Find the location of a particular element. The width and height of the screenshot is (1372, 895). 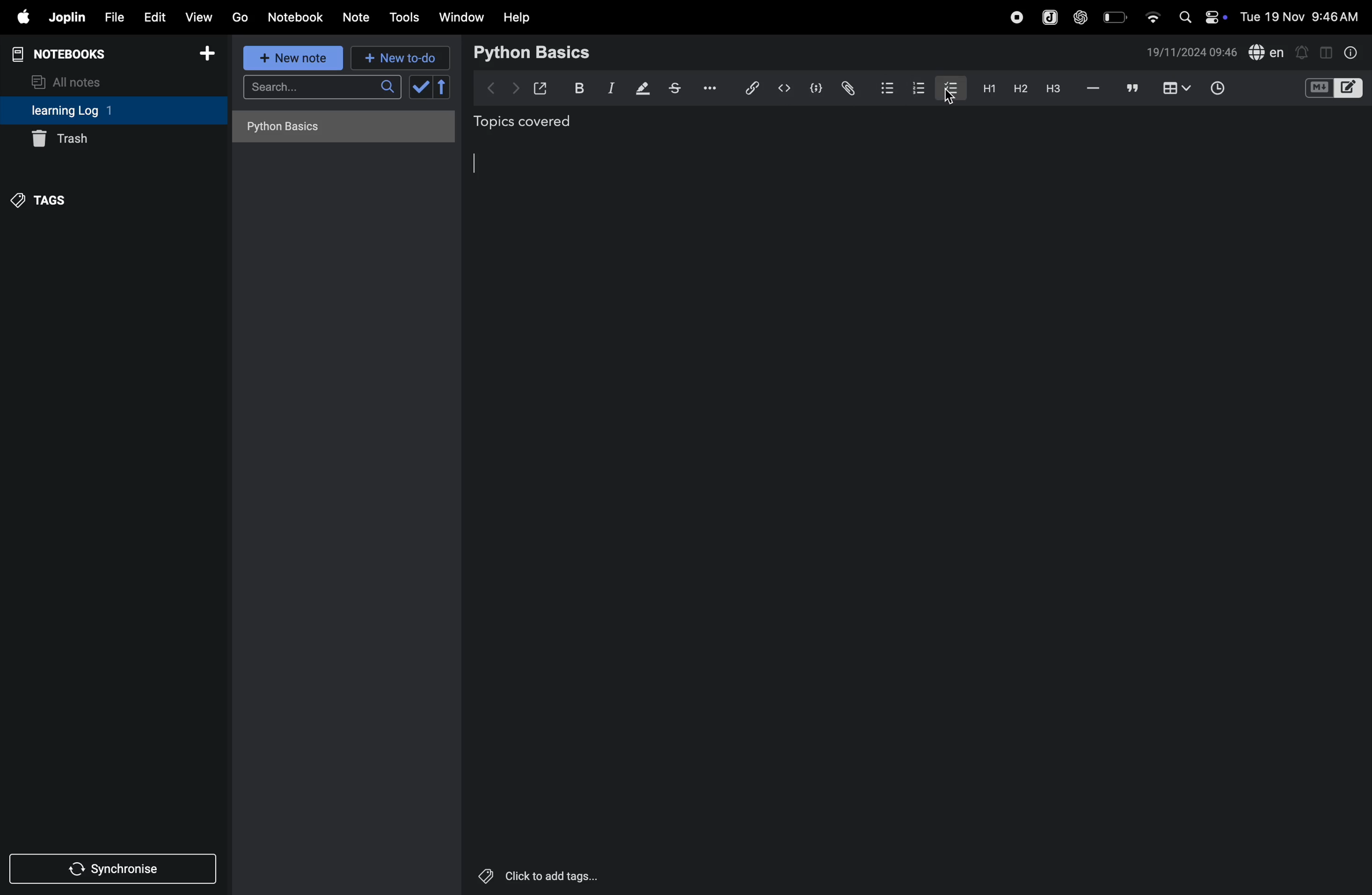

hifen is located at coordinates (1094, 89).